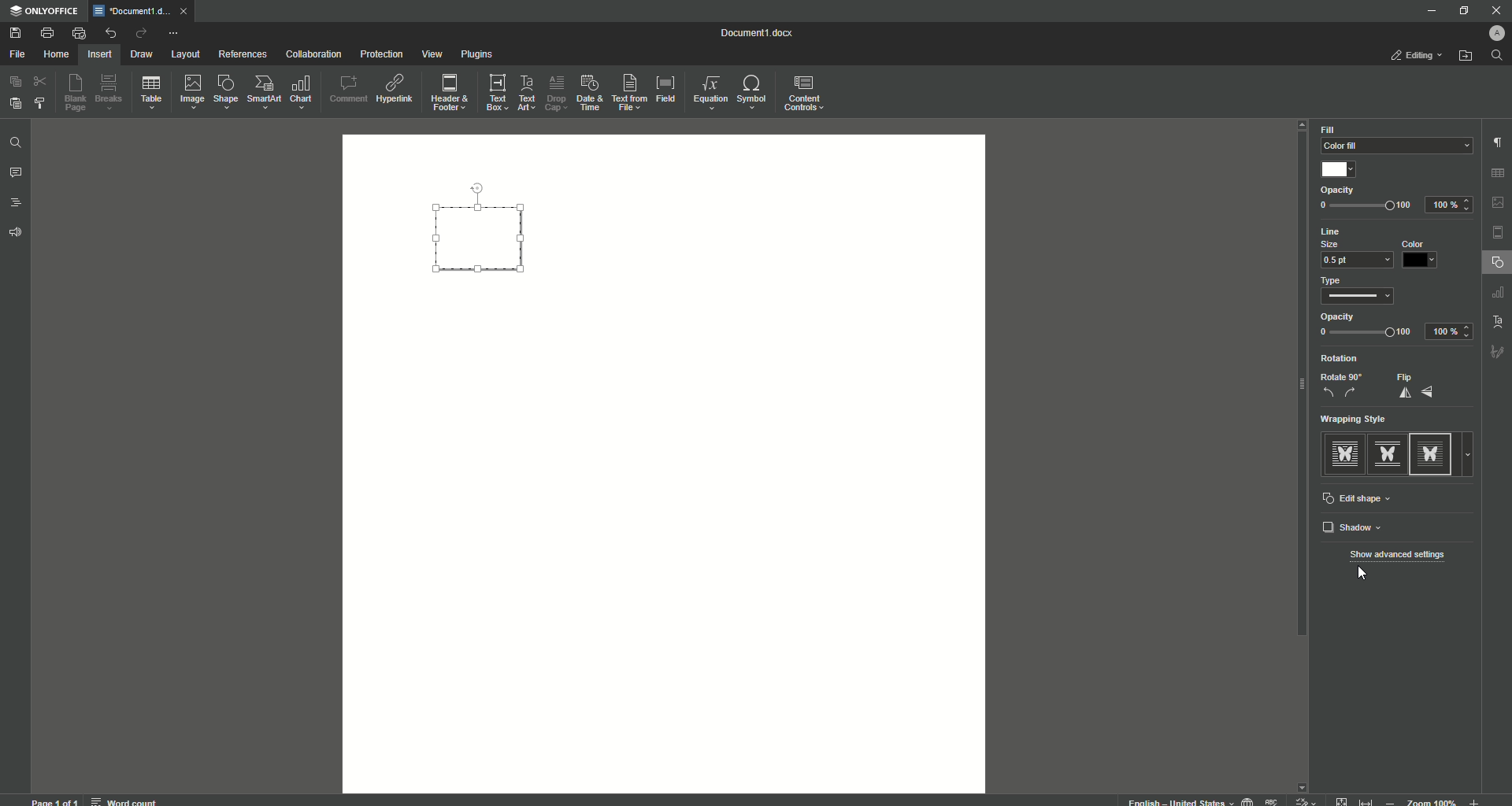  I want to click on Date and Time, so click(589, 93).